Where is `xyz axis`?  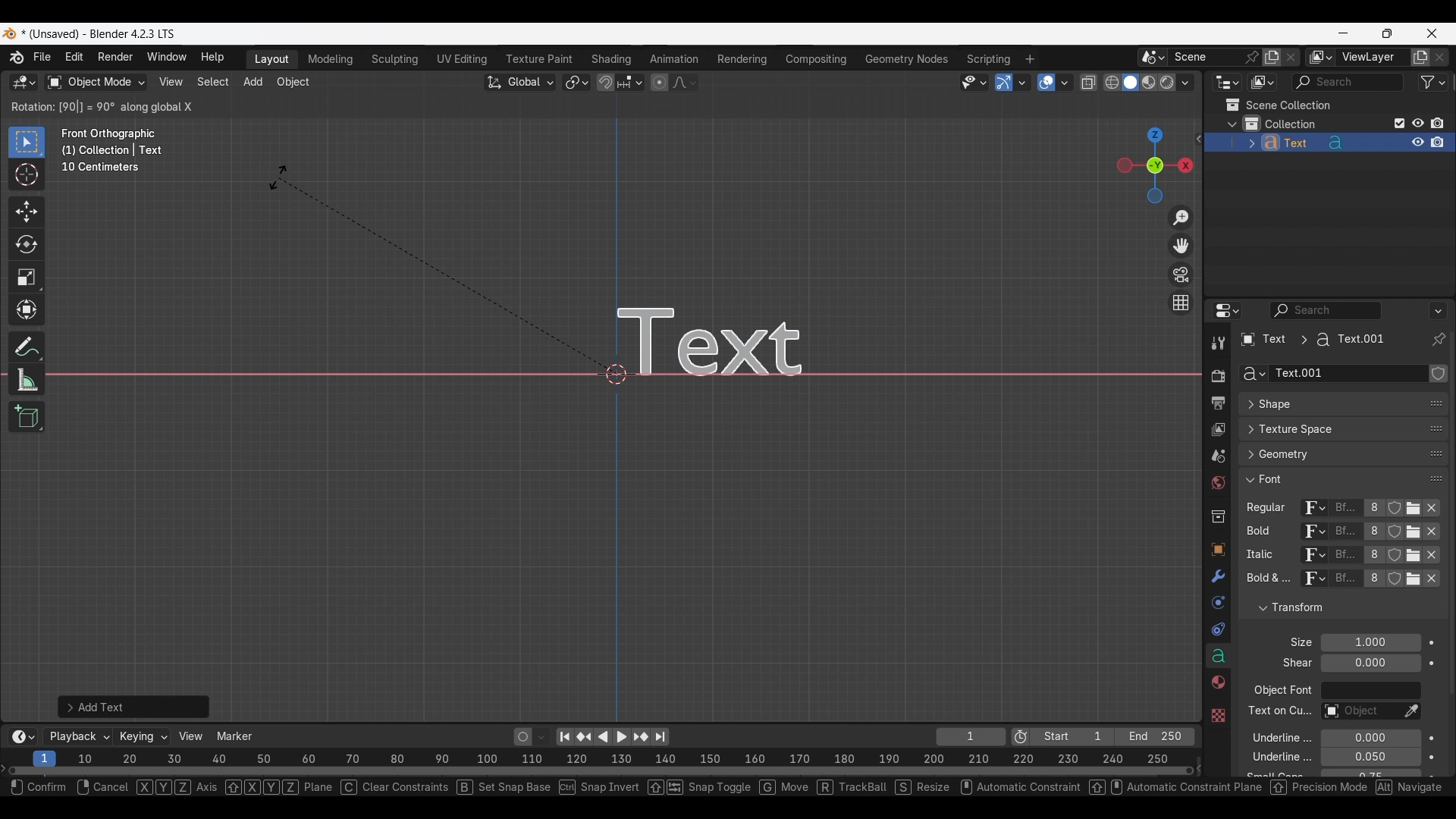 xyz axis is located at coordinates (178, 789).